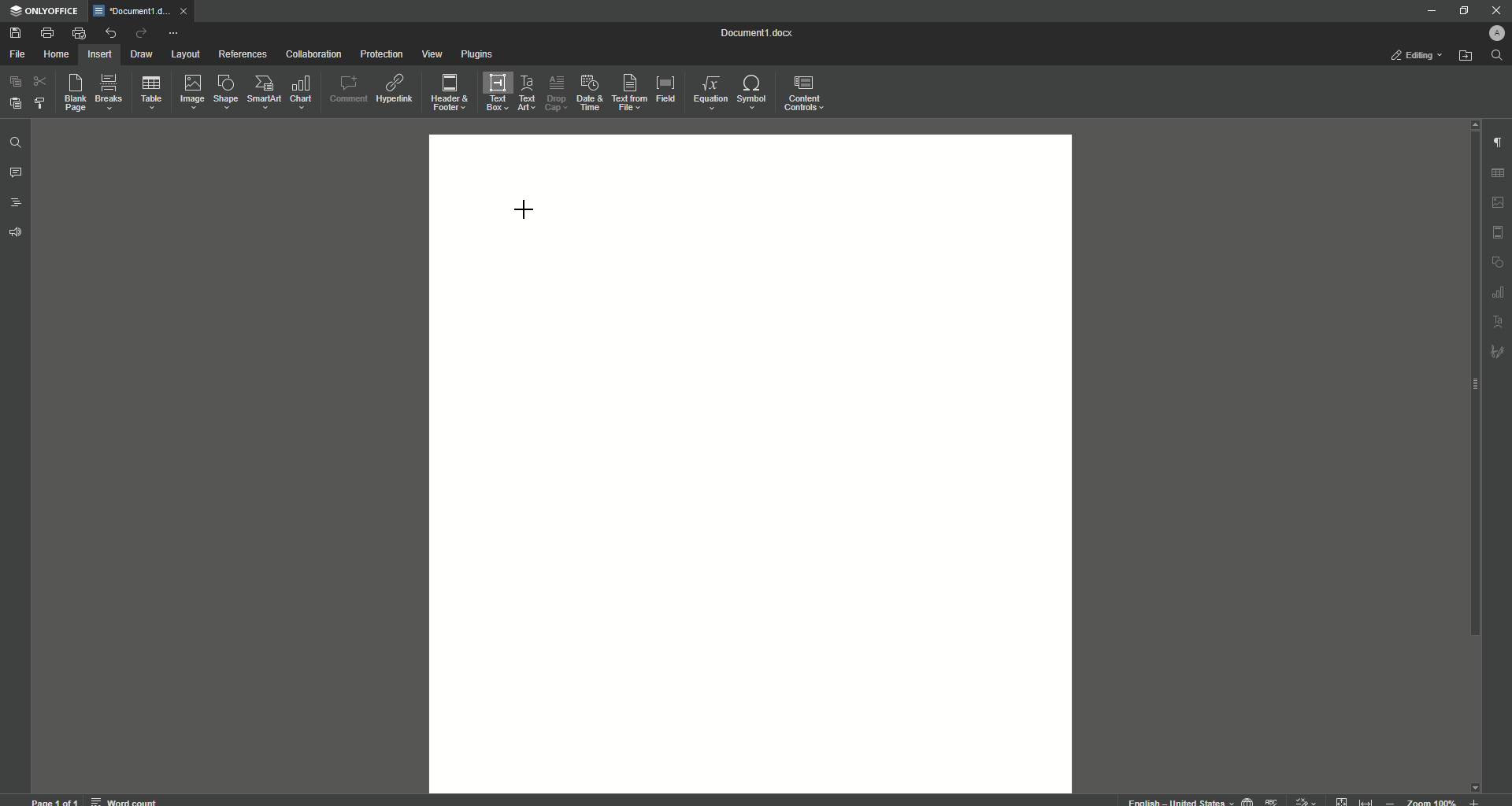 The width and height of the screenshot is (1512, 806). Describe the element at coordinates (41, 102) in the screenshot. I see `Choose Styles` at that location.